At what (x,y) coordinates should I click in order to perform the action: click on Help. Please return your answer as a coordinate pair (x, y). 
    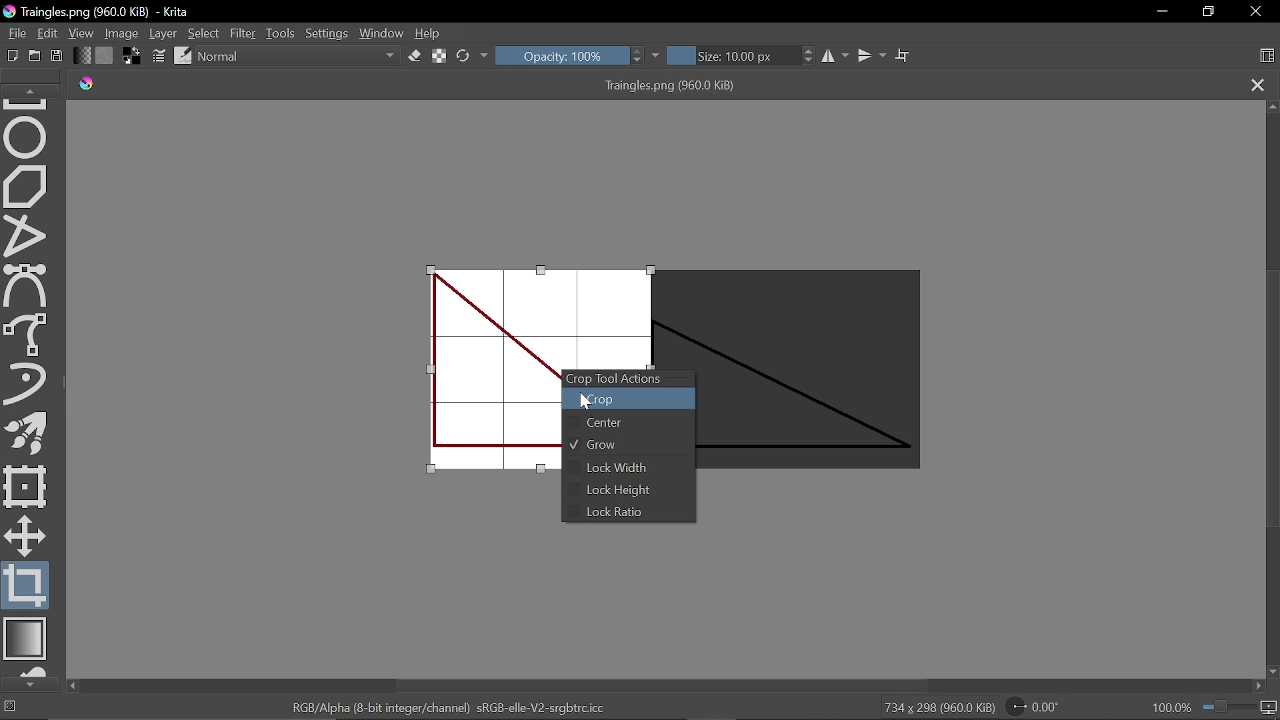
    Looking at the image, I should click on (430, 34).